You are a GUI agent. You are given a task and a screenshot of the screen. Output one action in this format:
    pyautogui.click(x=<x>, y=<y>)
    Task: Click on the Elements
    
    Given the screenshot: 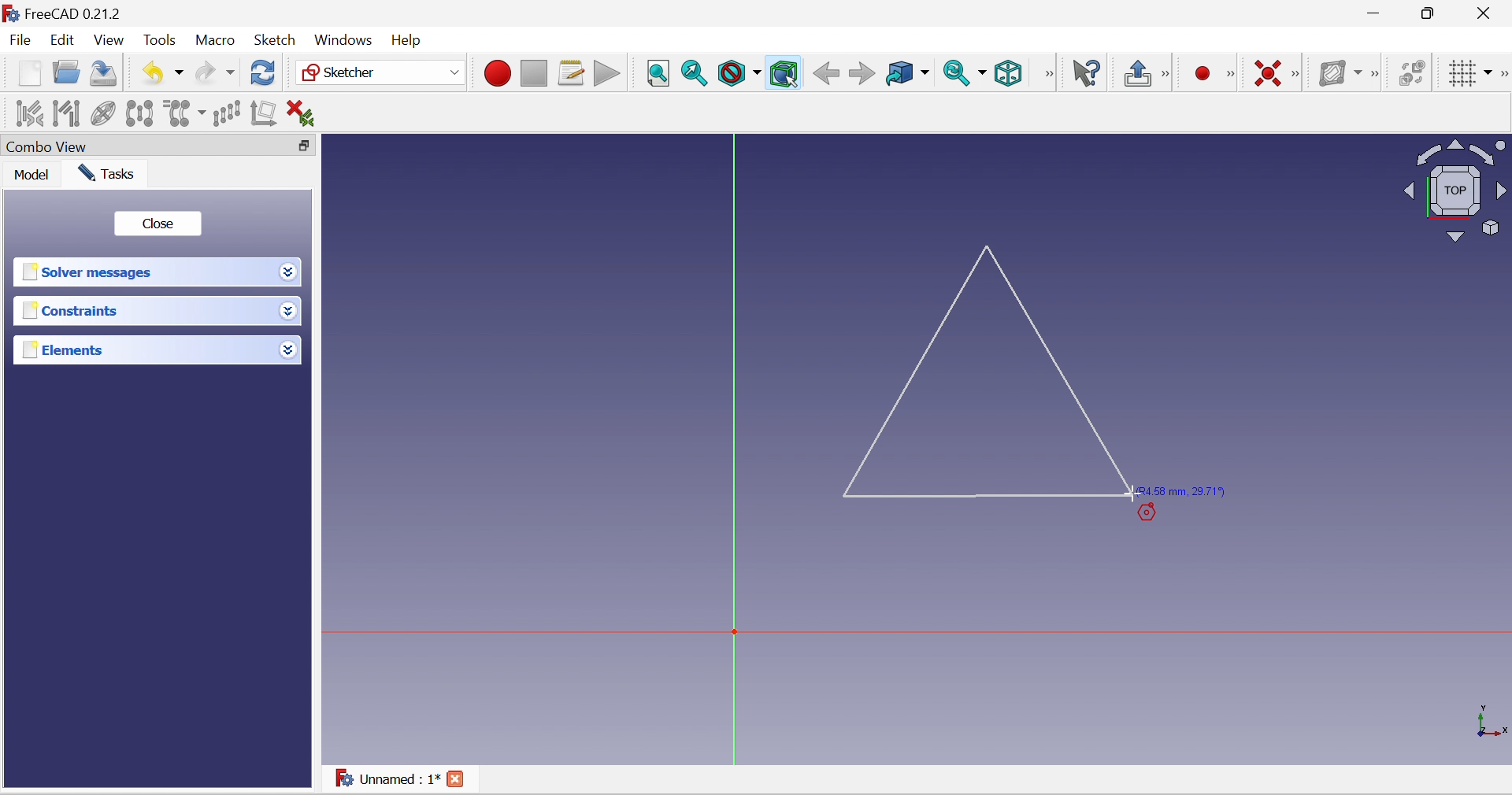 What is the action you would take?
    pyautogui.click(x=144, y=349)
    